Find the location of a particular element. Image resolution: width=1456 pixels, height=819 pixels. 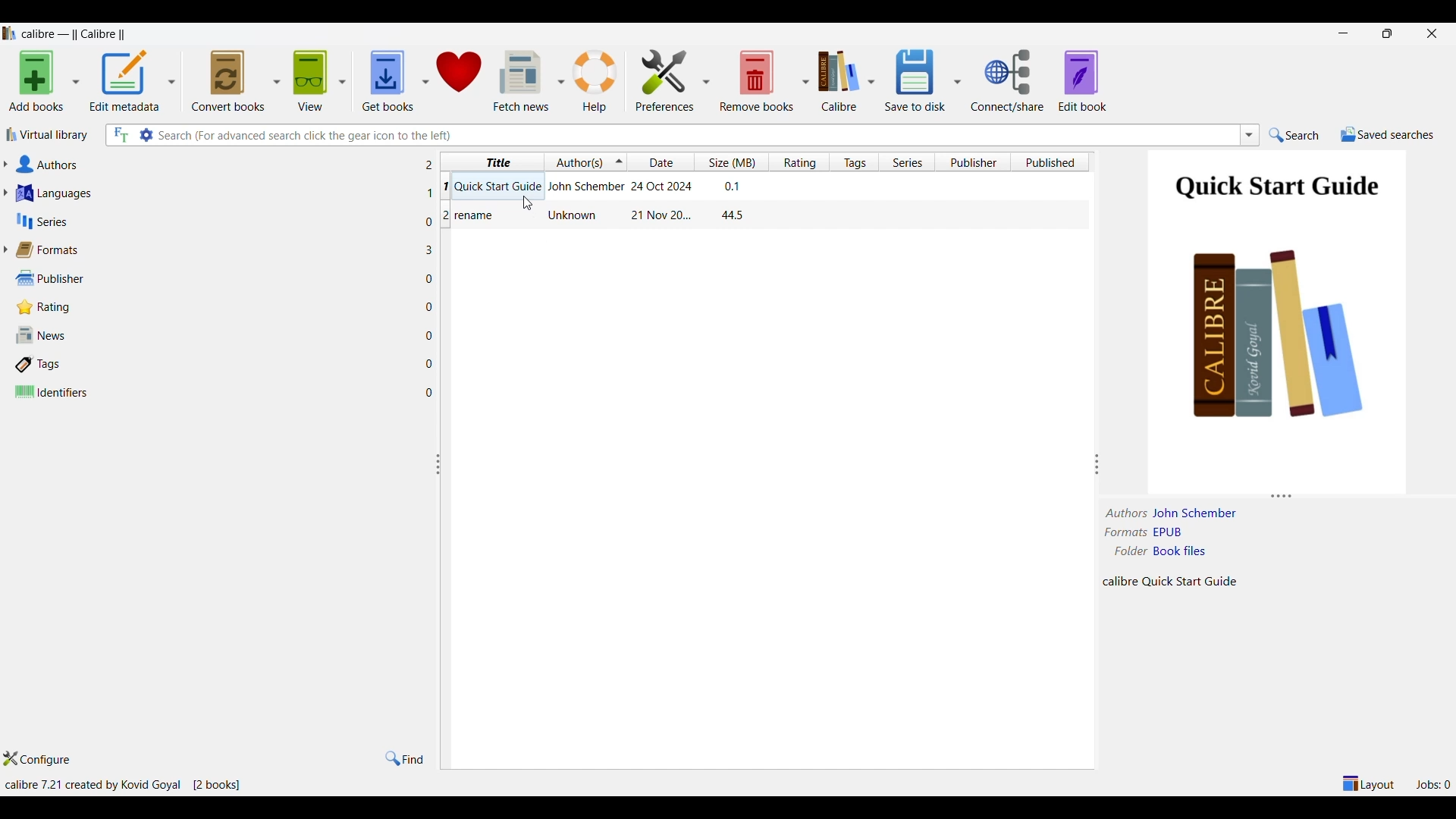

Fetch news options is located at coordinates (561, 80).